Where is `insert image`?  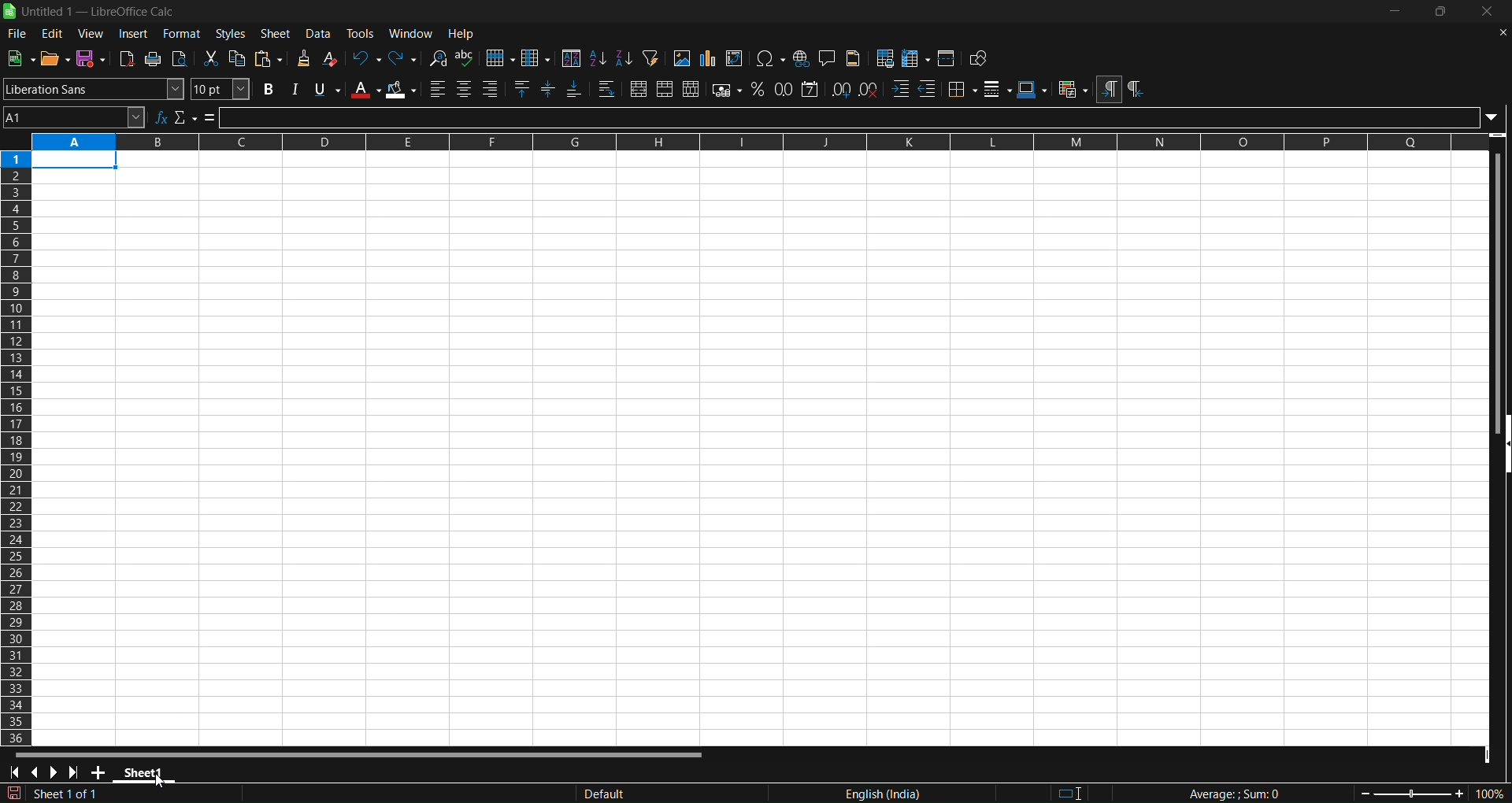 insert image is located at coordinates (680, 58).